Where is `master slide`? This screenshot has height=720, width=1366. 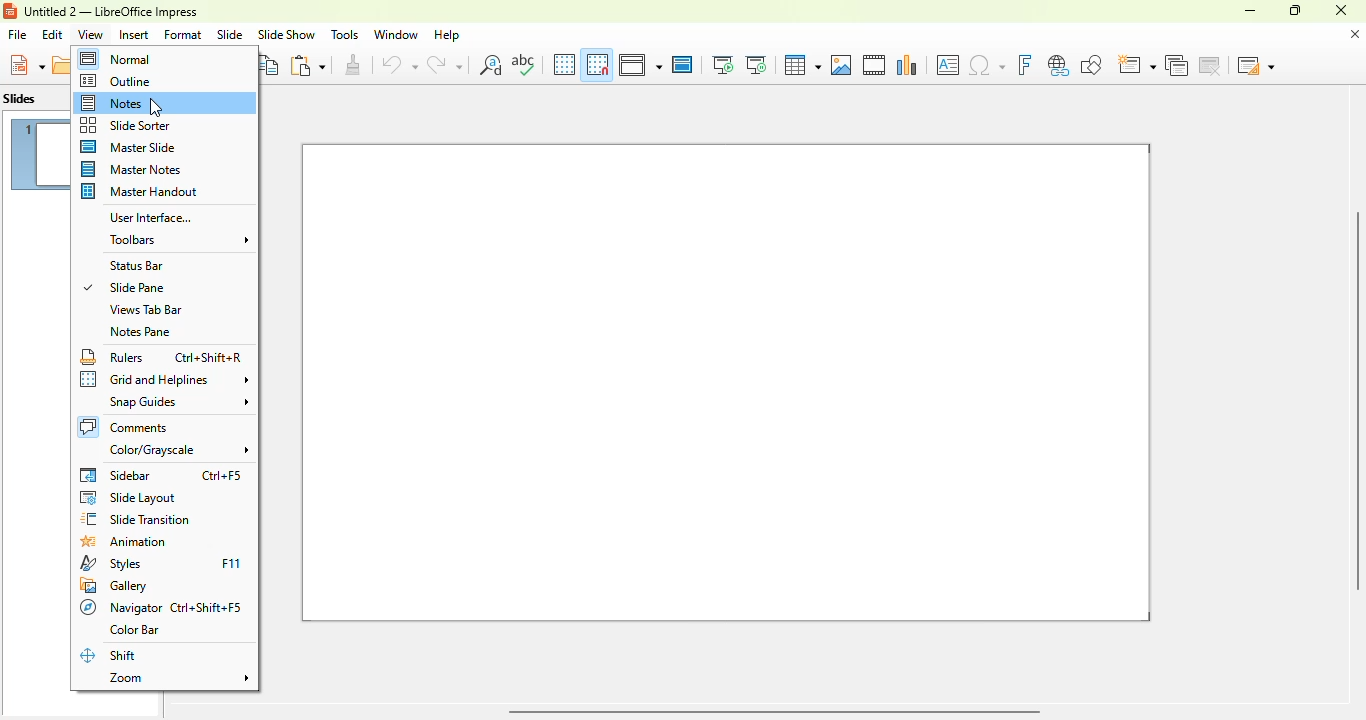 master slide is located at coordinates (130, 147).